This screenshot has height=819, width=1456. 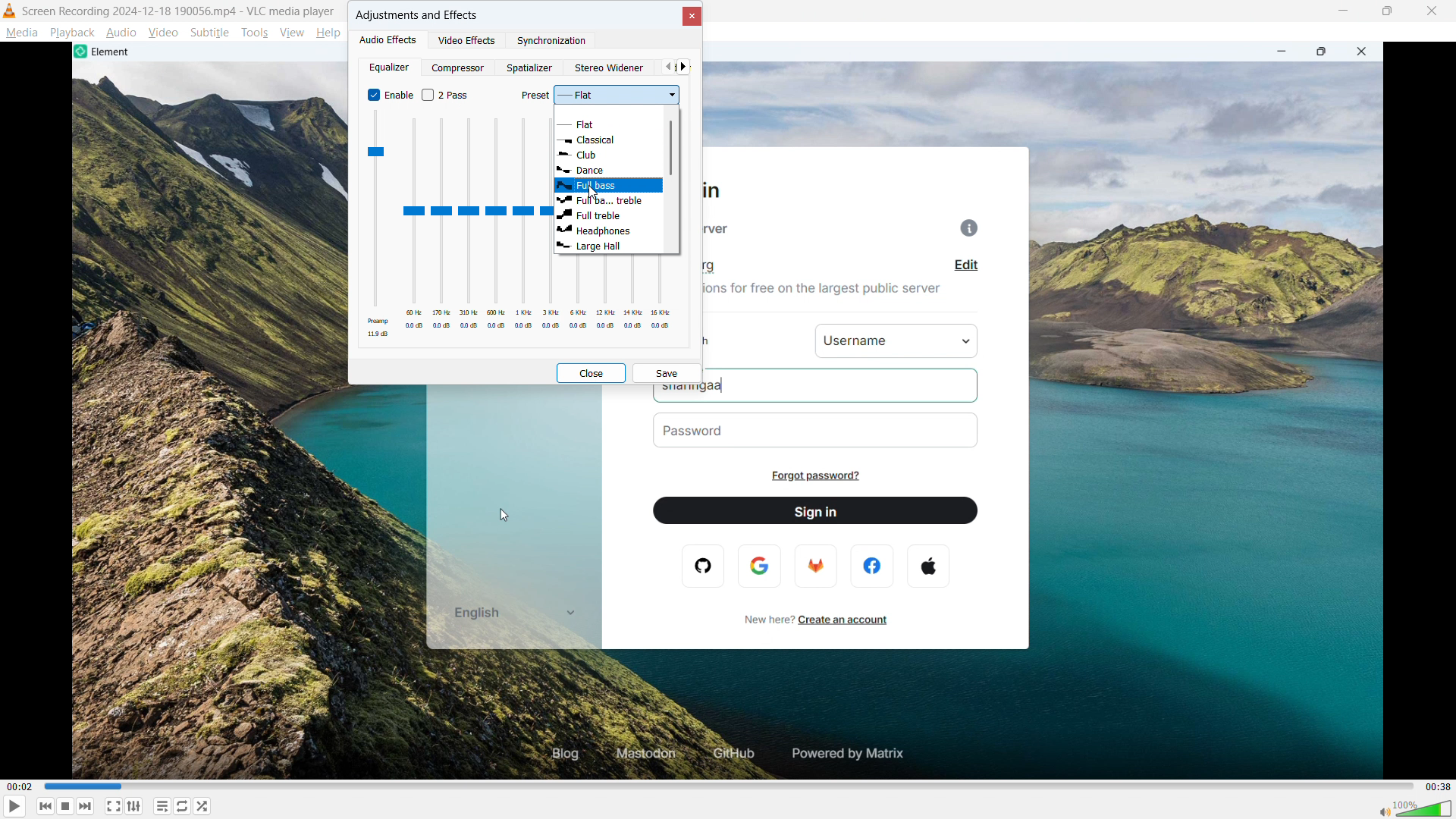 I want to click on help , so click(x=329, y=33).